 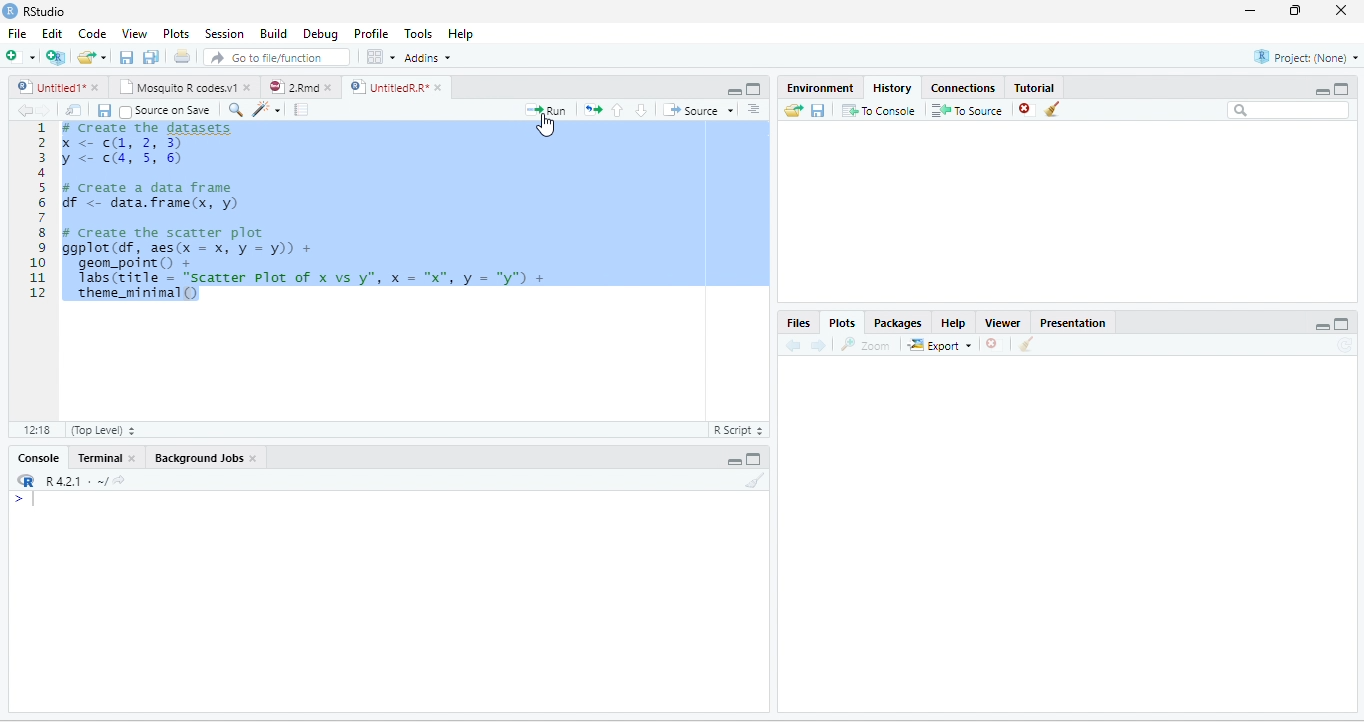 I want to click on restore, so click(x=1297, y=11).